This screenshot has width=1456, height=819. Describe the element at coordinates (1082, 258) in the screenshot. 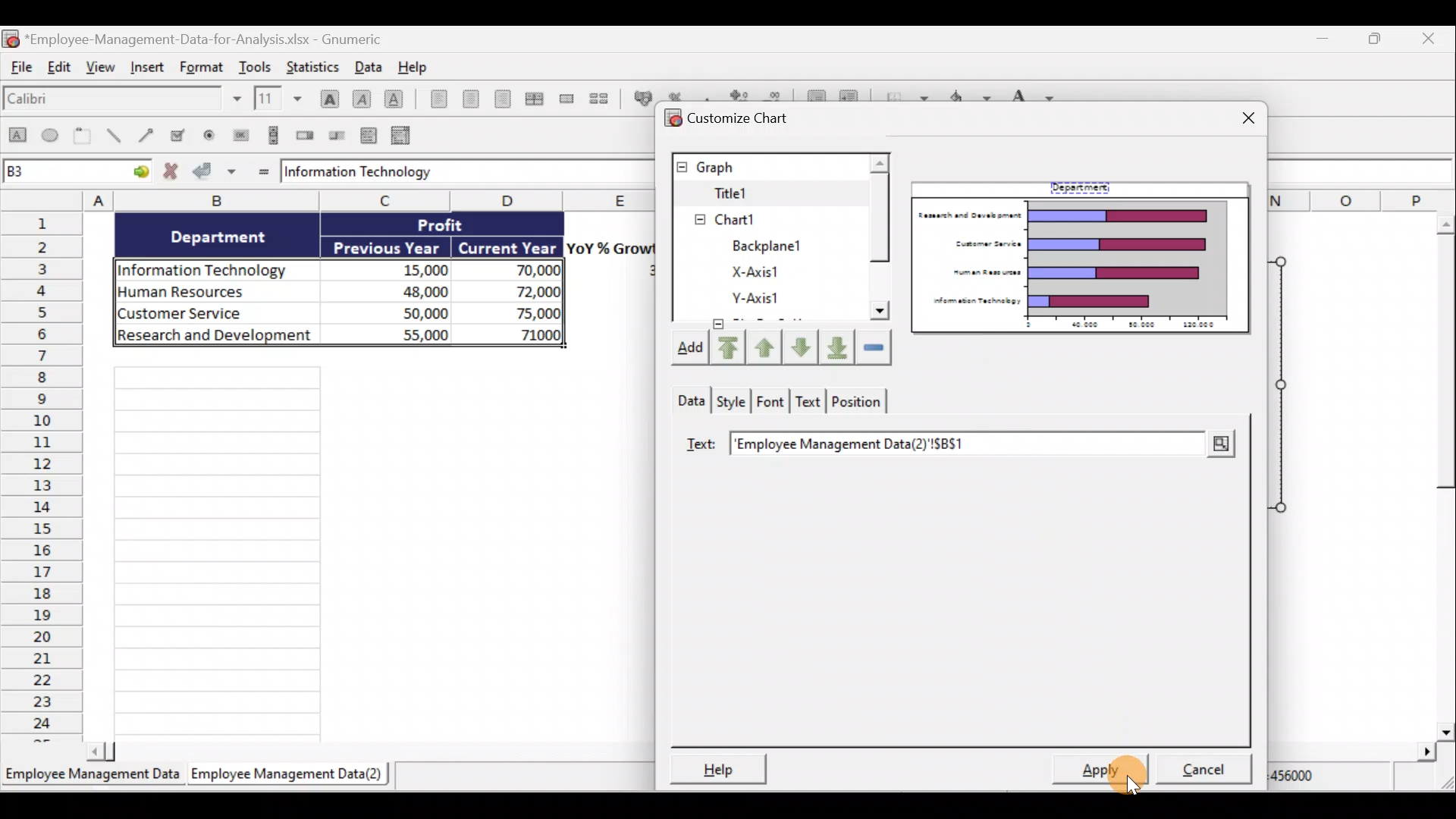

I see `Preview` at that location.